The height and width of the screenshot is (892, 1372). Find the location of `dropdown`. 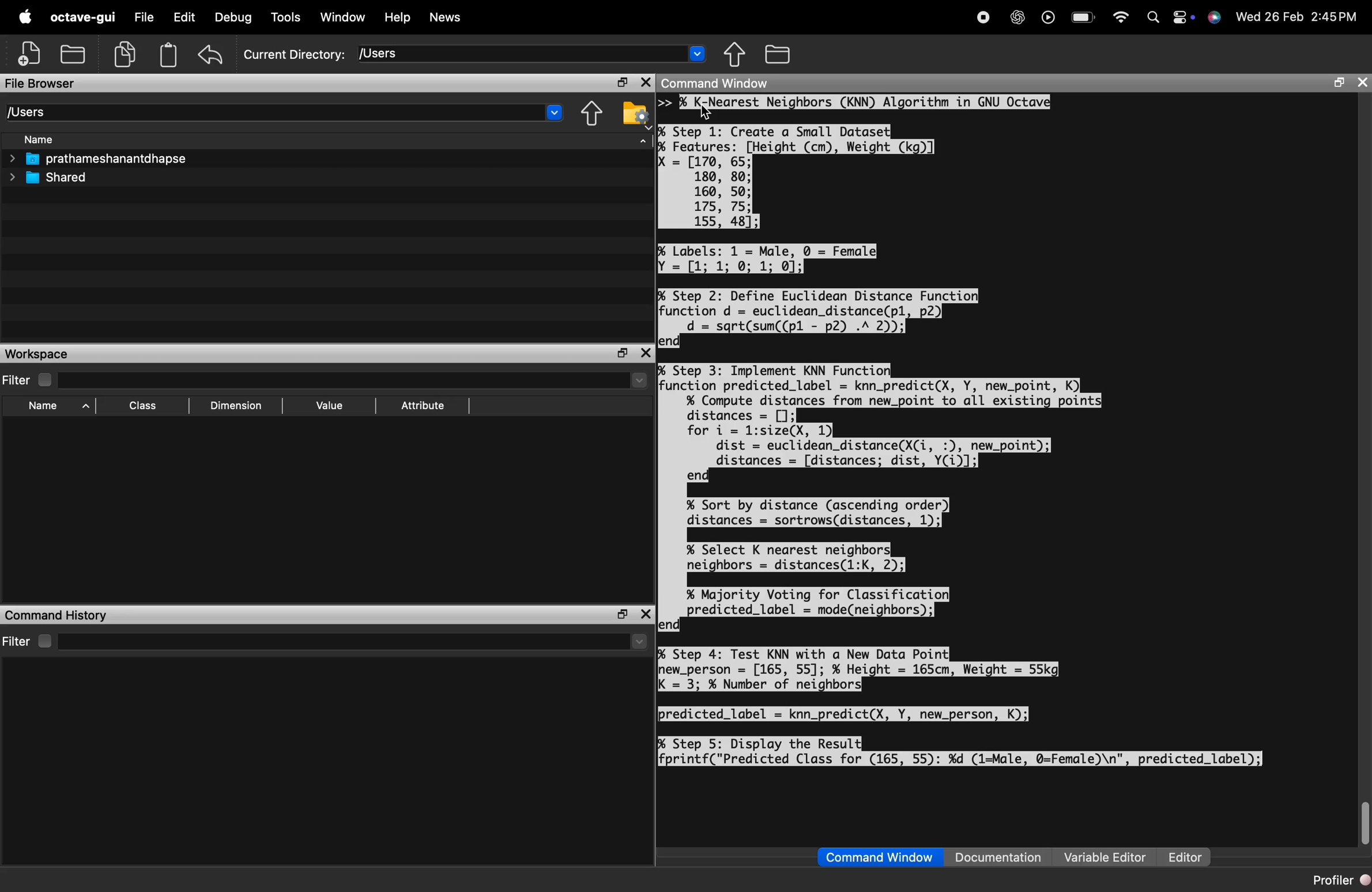

dropdown is located at coordinates (552, 114).